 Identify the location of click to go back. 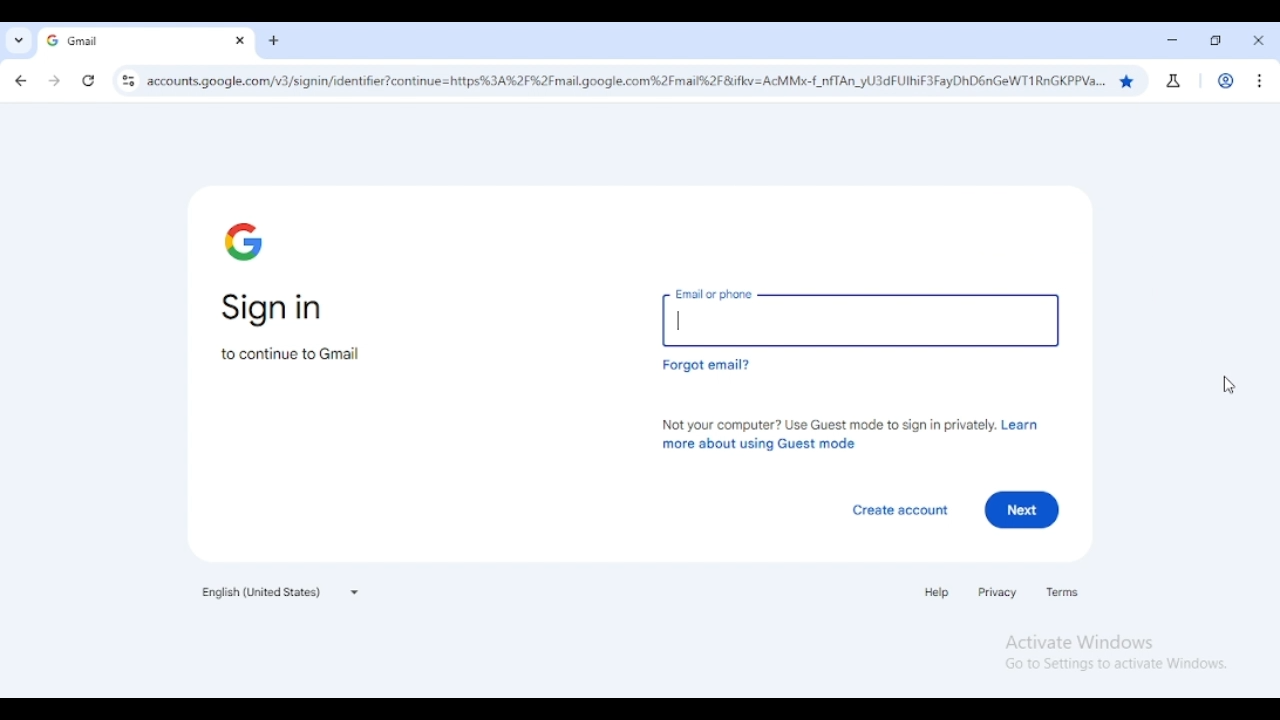
(22, 82).